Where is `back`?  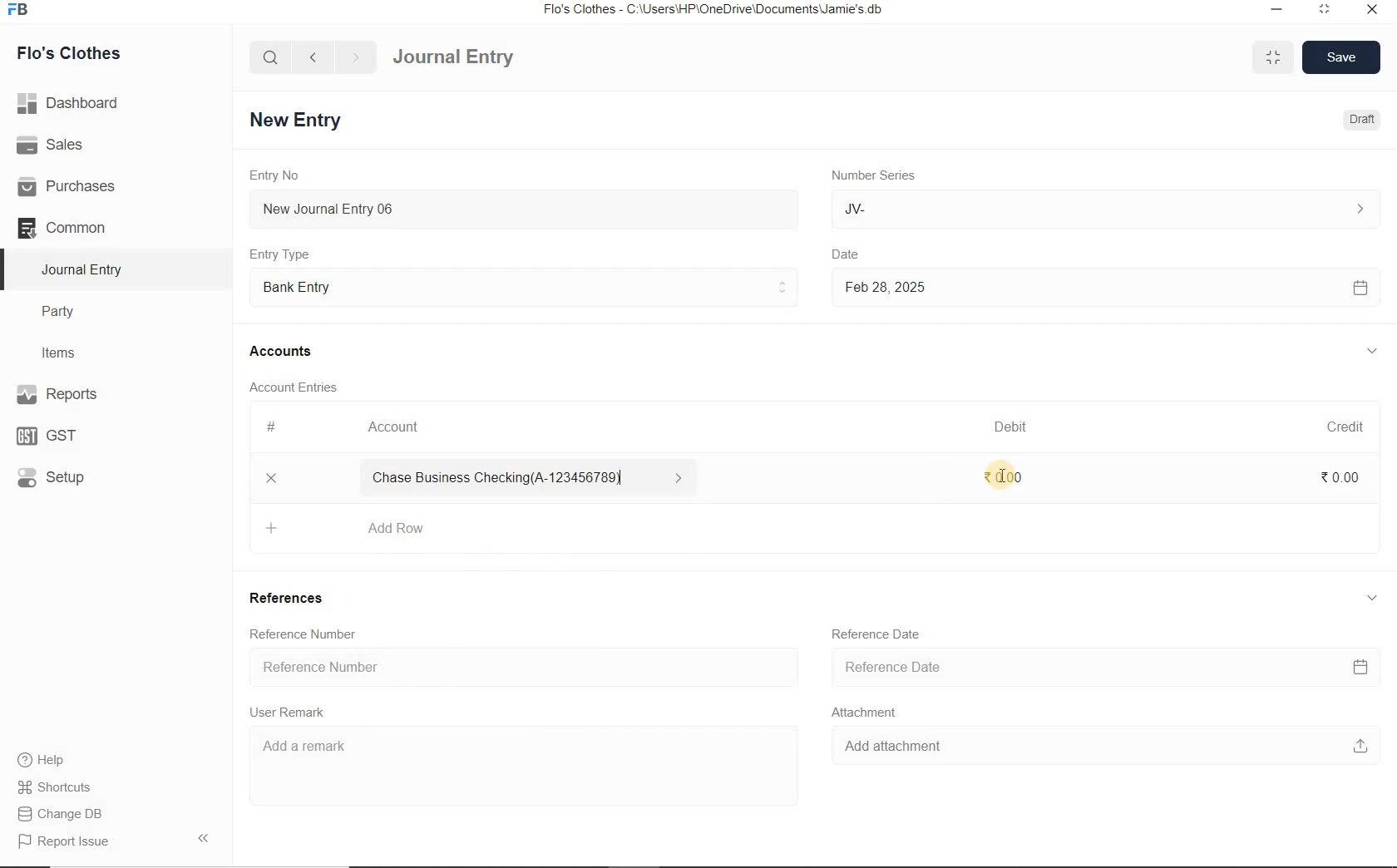 back is located at coordinates (313, 56).